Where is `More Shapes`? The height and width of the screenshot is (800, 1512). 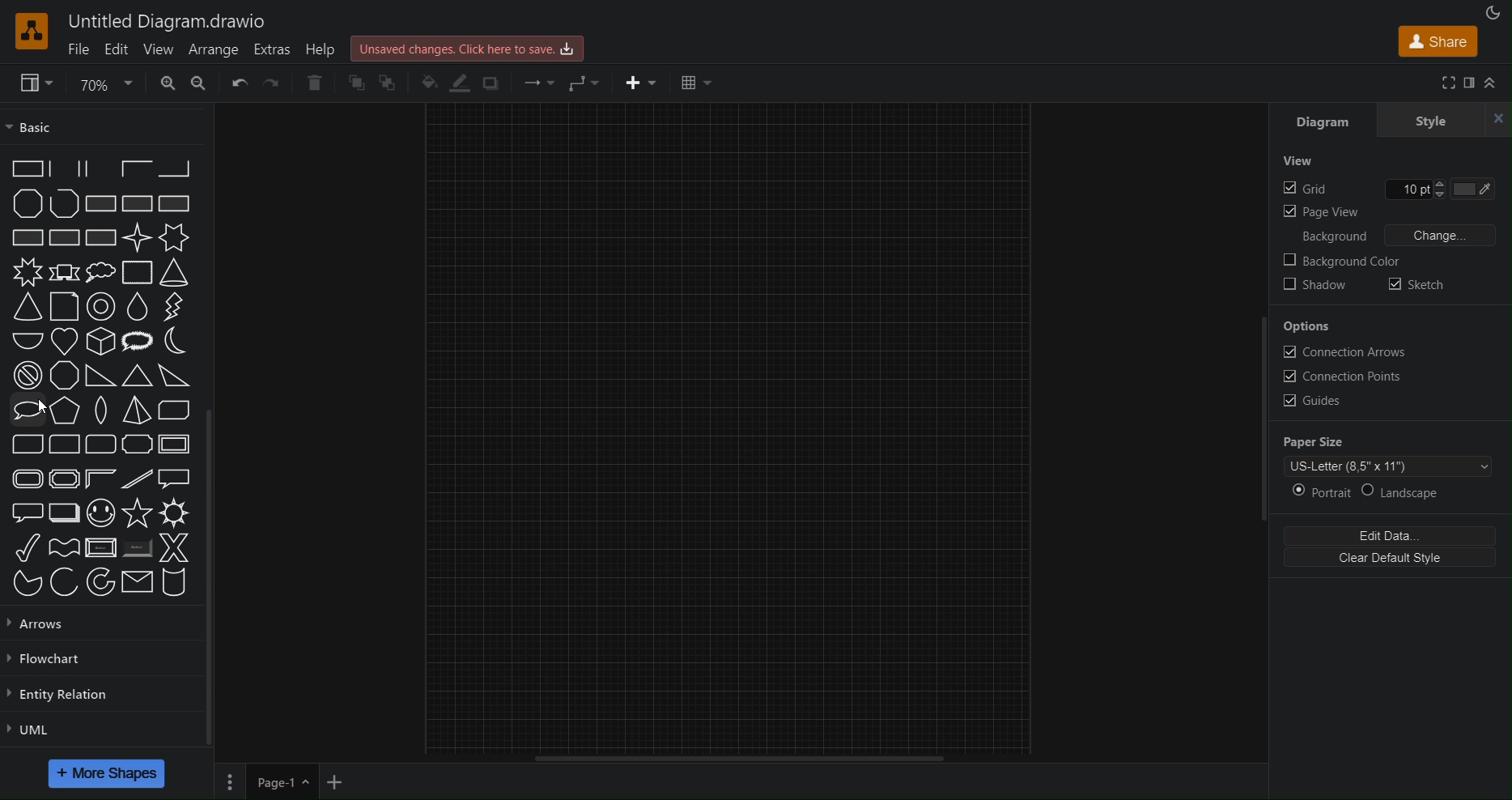 More Shapes is located at coordinates (111, 775).